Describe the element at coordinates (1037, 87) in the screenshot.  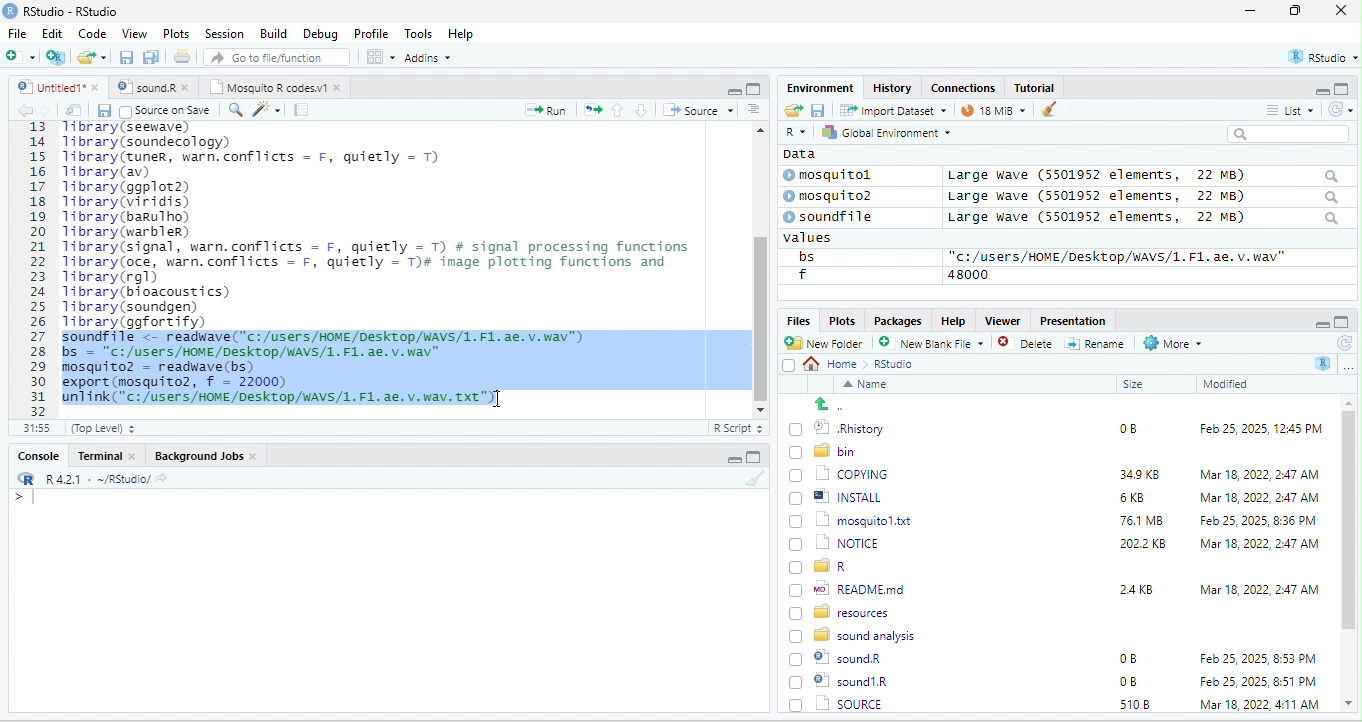
I see `Tutorial` at that location.